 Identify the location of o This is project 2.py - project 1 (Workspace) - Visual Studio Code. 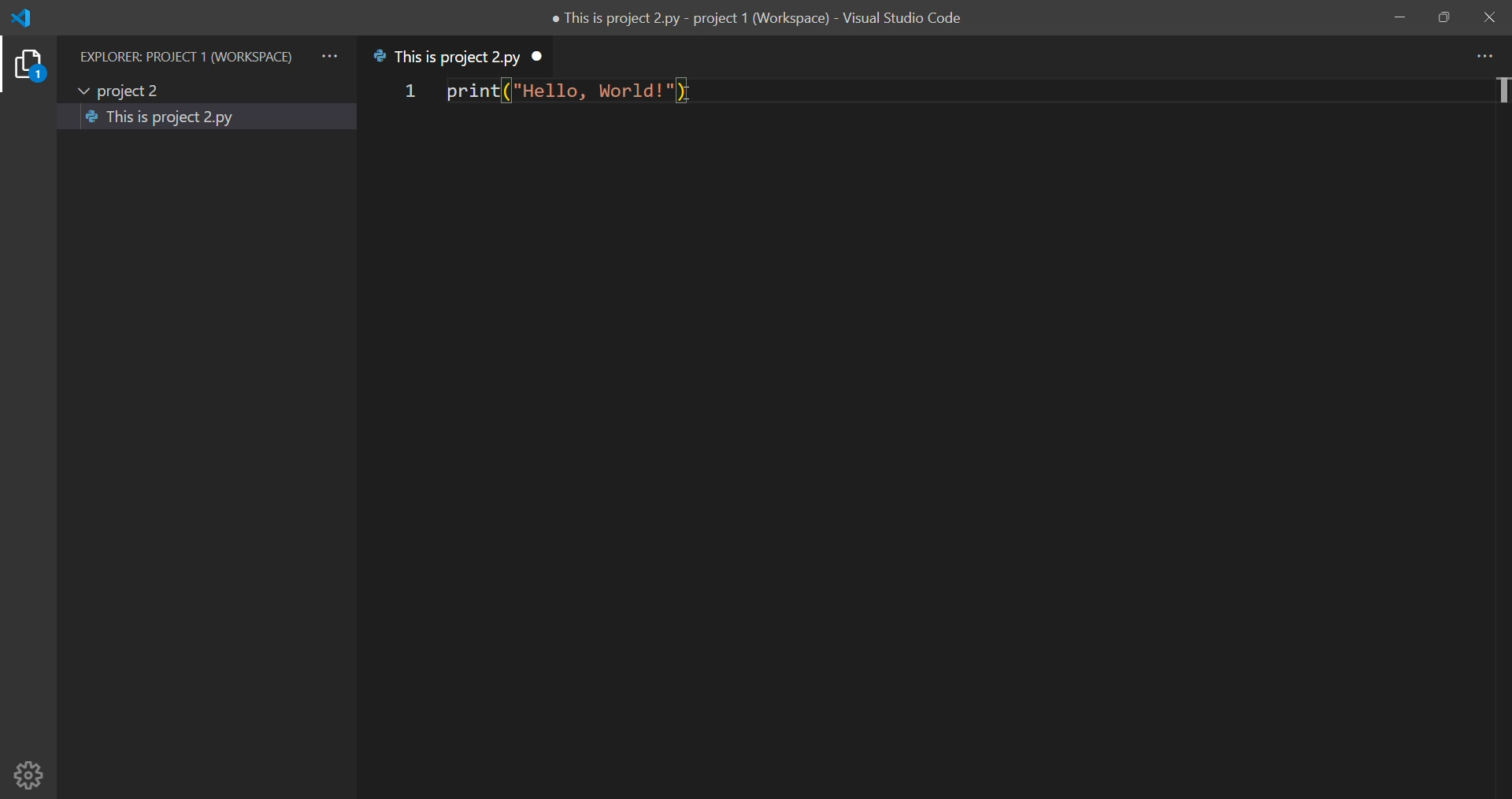
(761, 21).